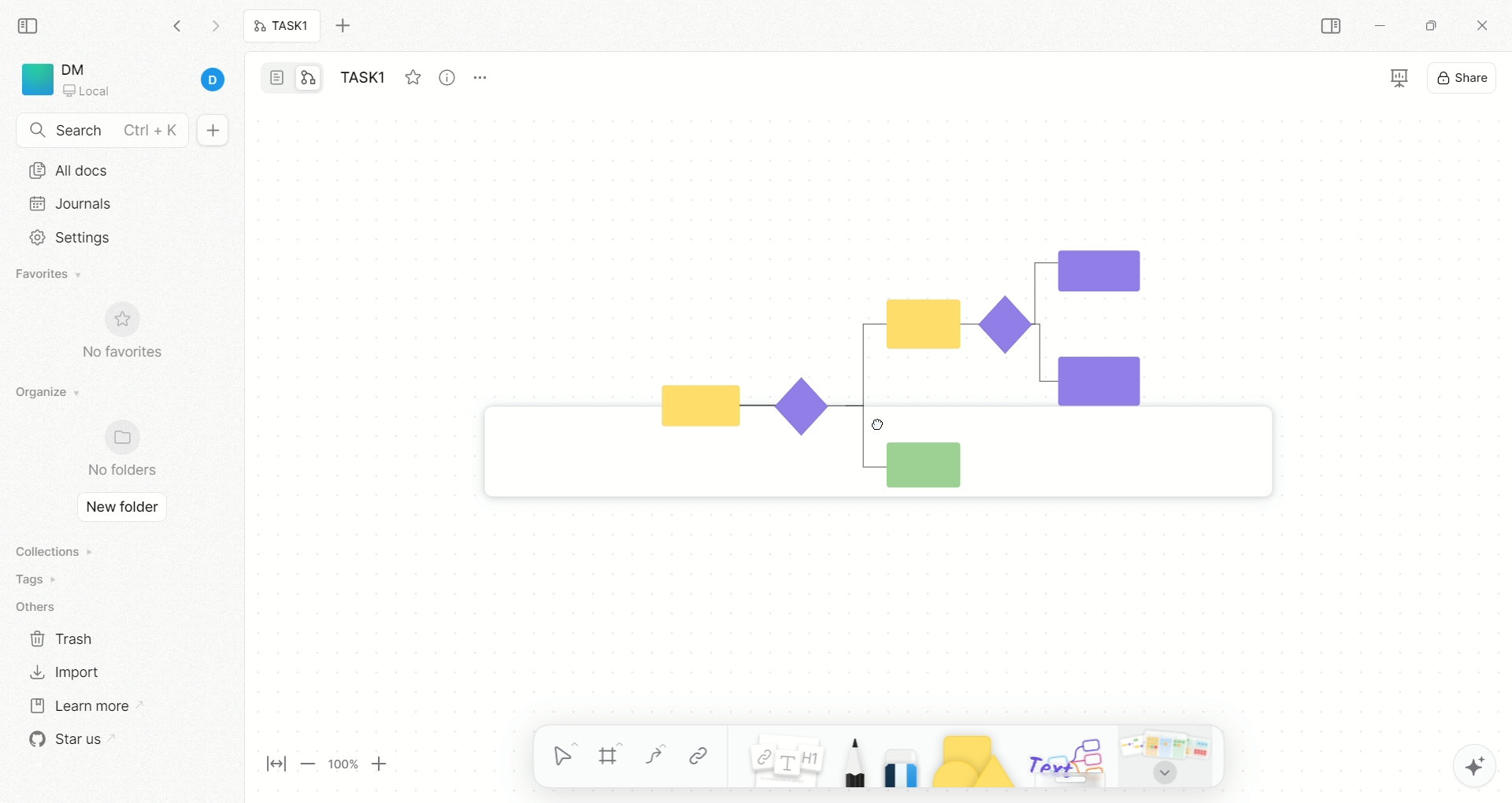 The image size is (1512, 803). I want to click on star us, so click(67, 739).